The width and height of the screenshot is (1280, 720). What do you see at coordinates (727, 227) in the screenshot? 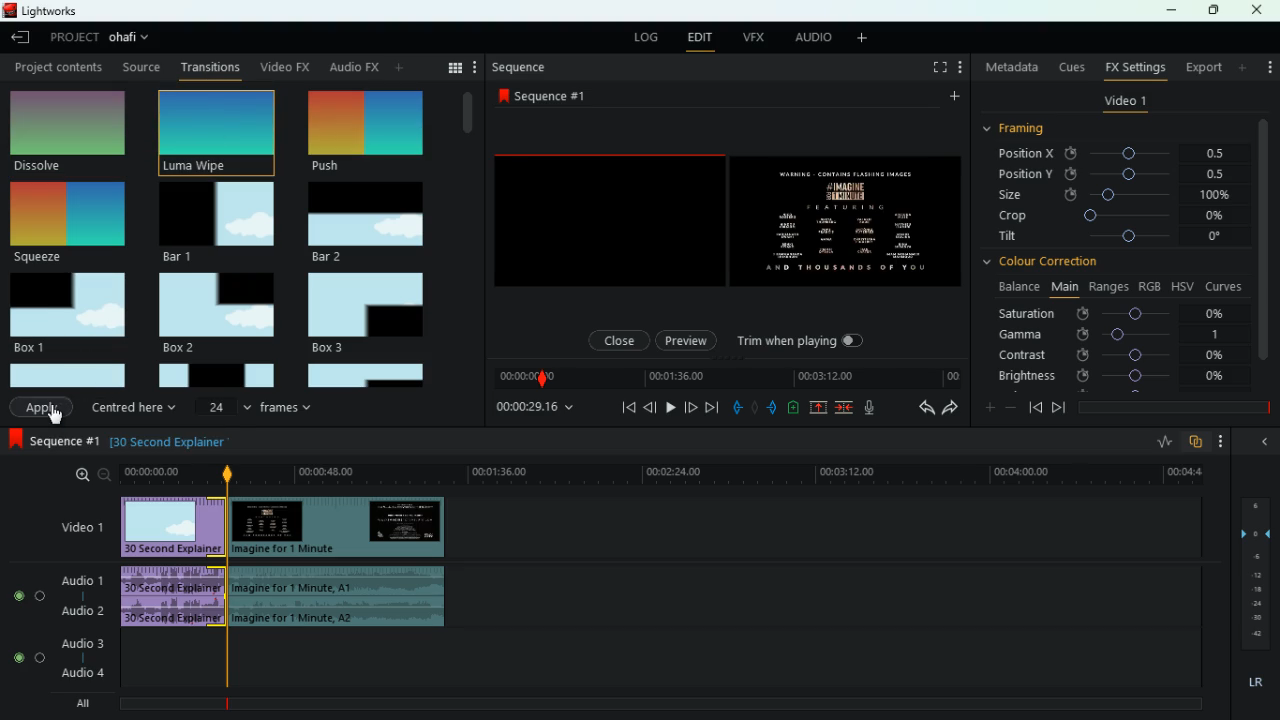
I see `screen` at bounding box center [727, 227].